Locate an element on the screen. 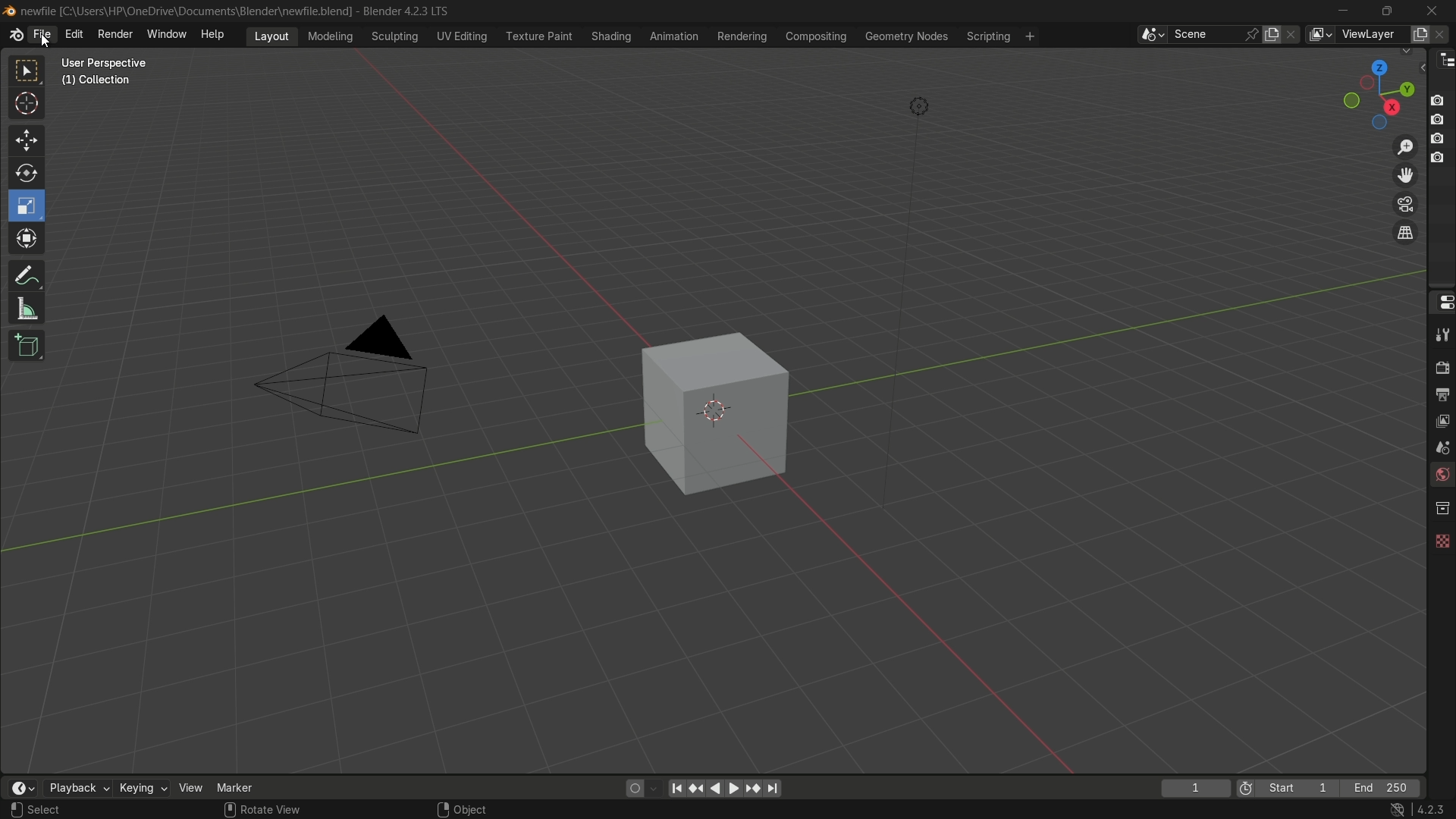 The width and height of the screenshot is (1456, 819). animation menu is located at coordinates (674, 36).